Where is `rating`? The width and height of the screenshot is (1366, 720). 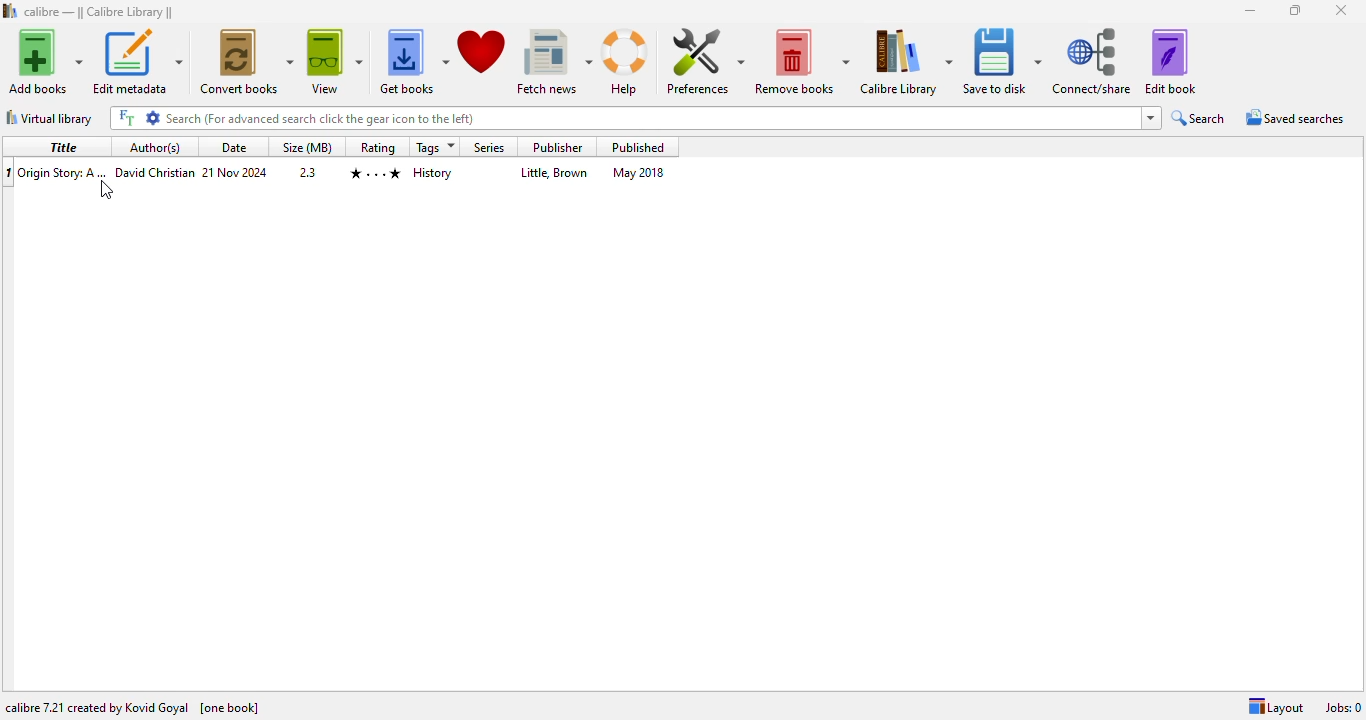
rating is located at coordinates (377, 148).